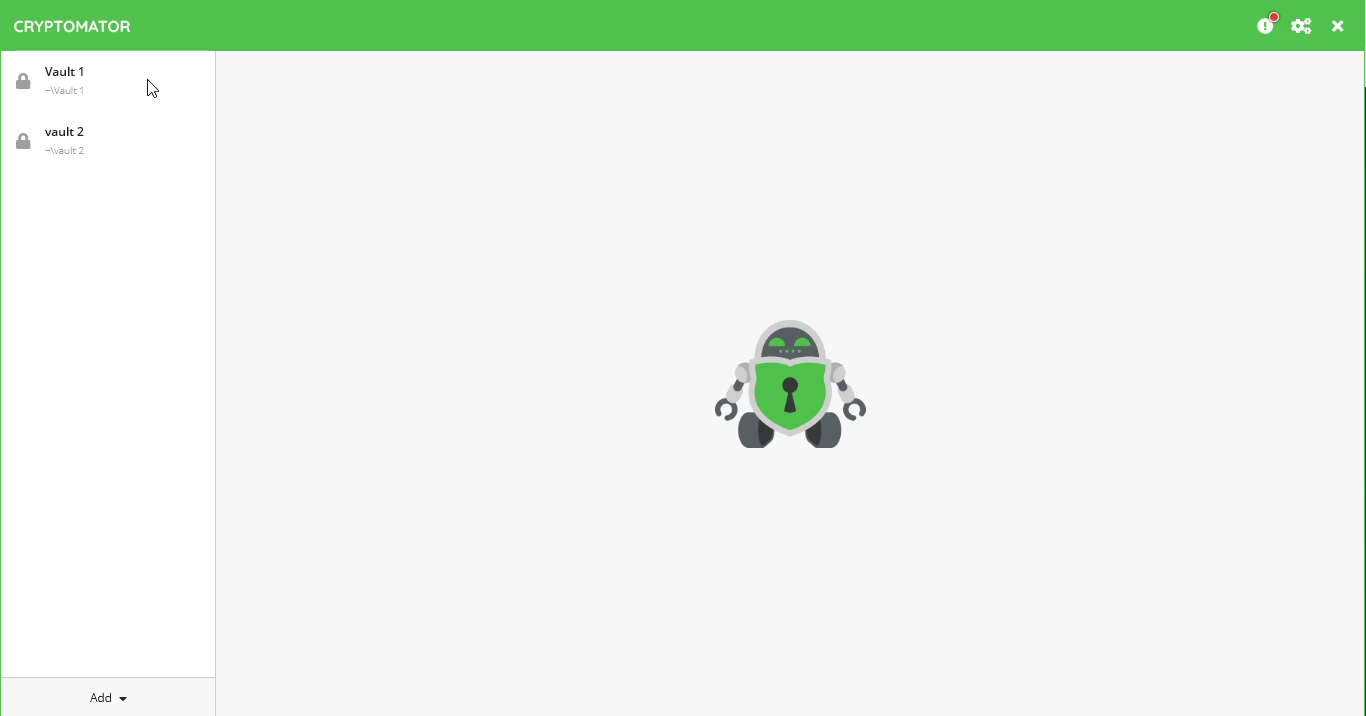 This screenshot has width=1366, height=716. Describe the element at coordinates (1266, 24) in the screenshot. I see `please consider donating` at that location.